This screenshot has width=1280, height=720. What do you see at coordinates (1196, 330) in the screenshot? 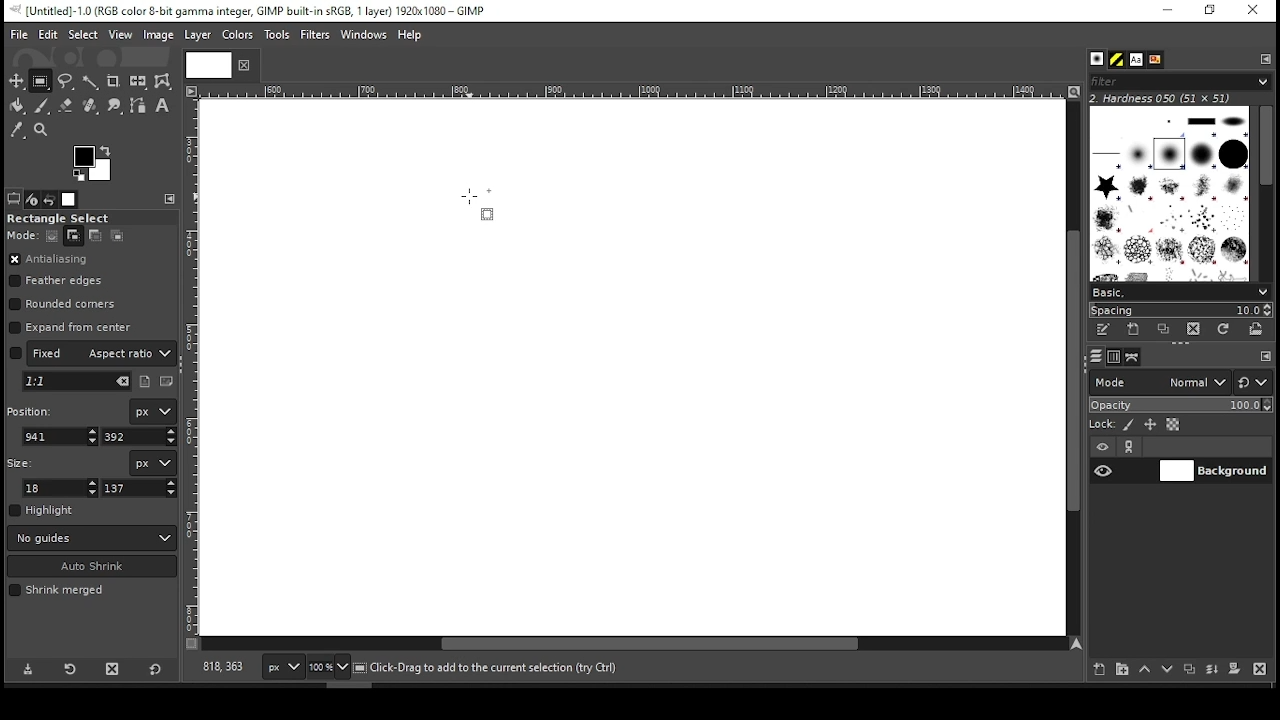
I see `delete brush` at bounding box center [1196, 330].